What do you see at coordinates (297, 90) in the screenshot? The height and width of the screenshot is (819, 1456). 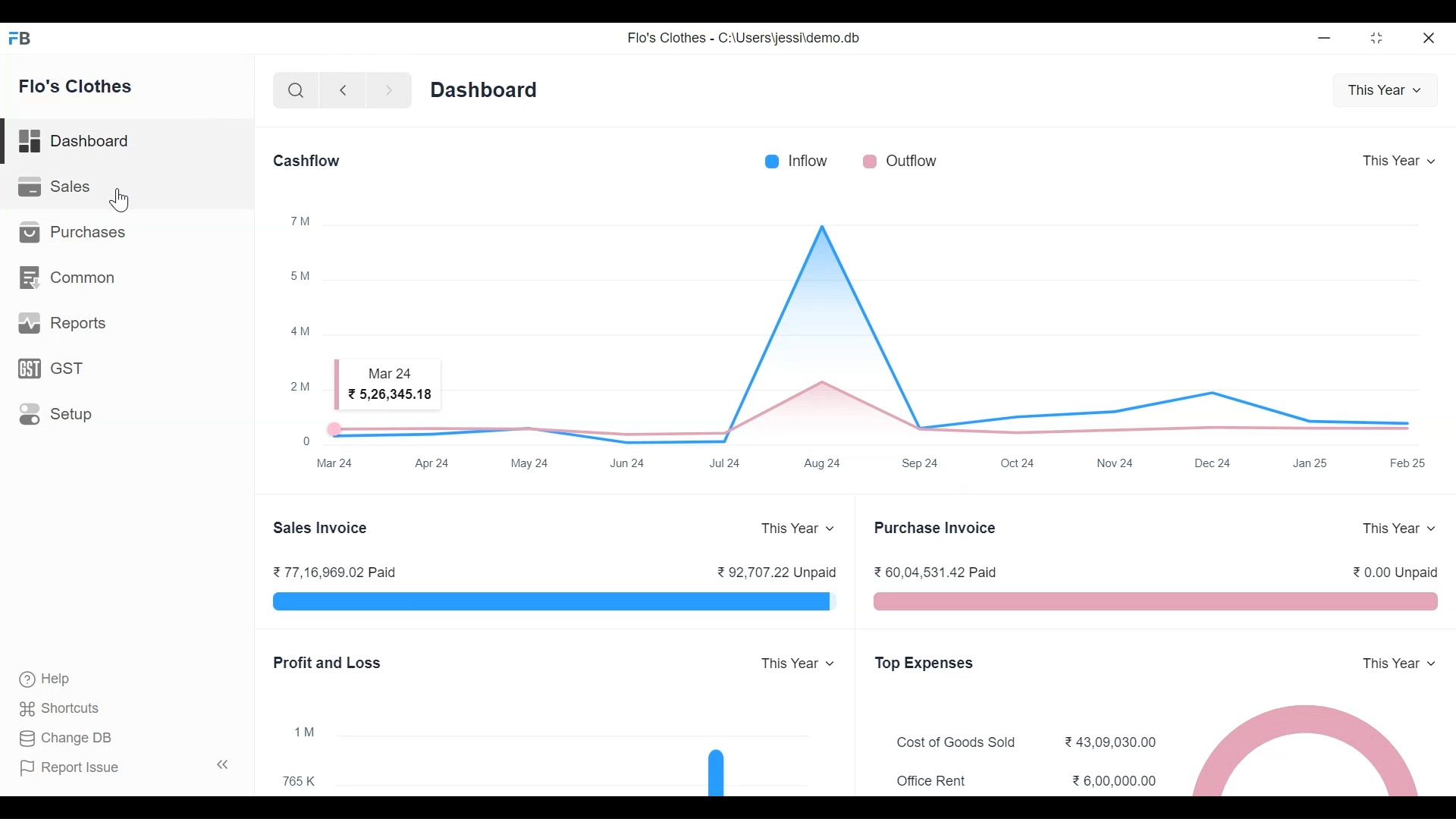 I see `Search` at bounding box center [297, 90].